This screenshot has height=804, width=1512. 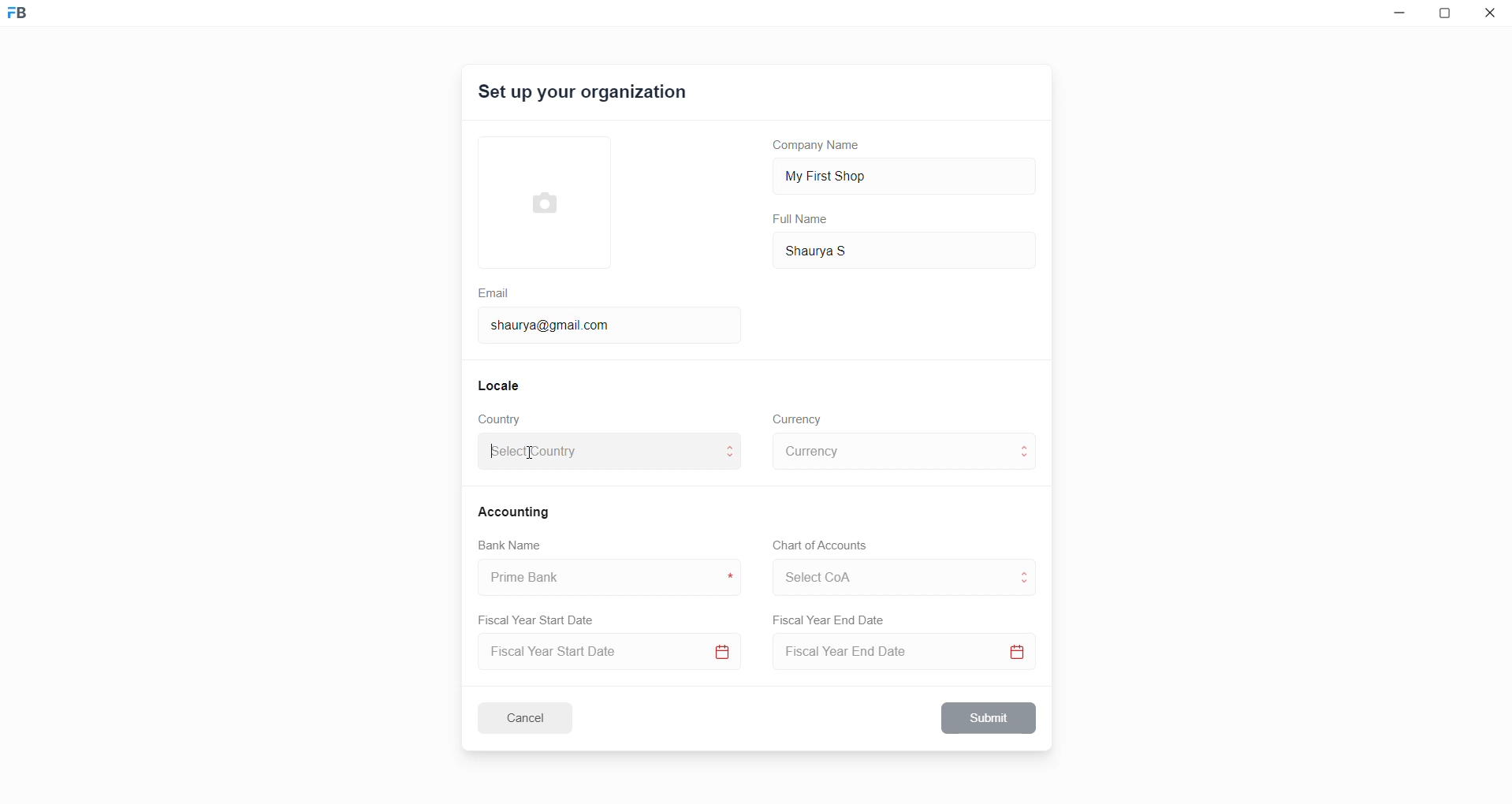 I want to click on Locale, so click(x=500, y=385).